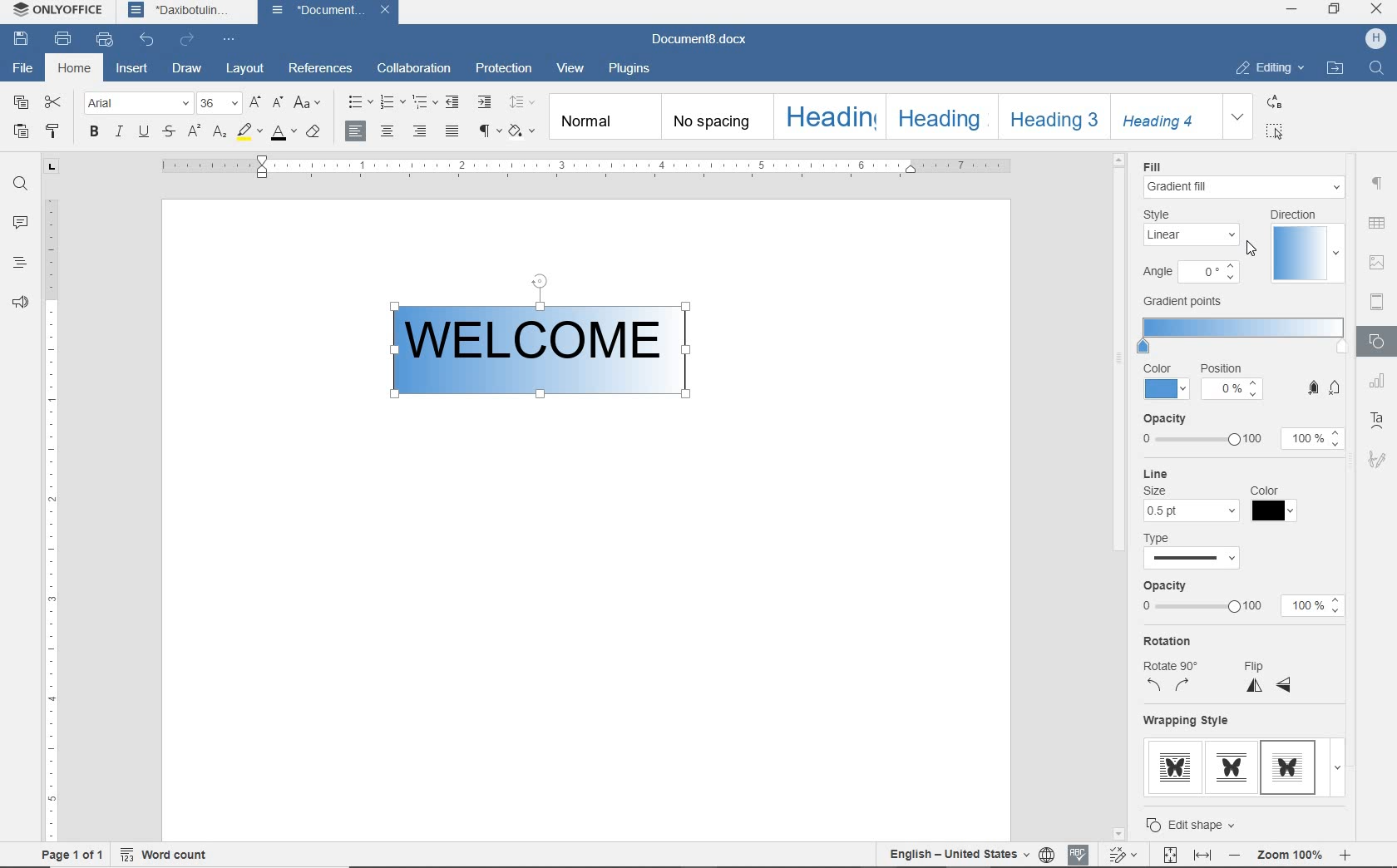 The image size is (1397, 868). I want to click on Zoom in, so click(1345, 855).